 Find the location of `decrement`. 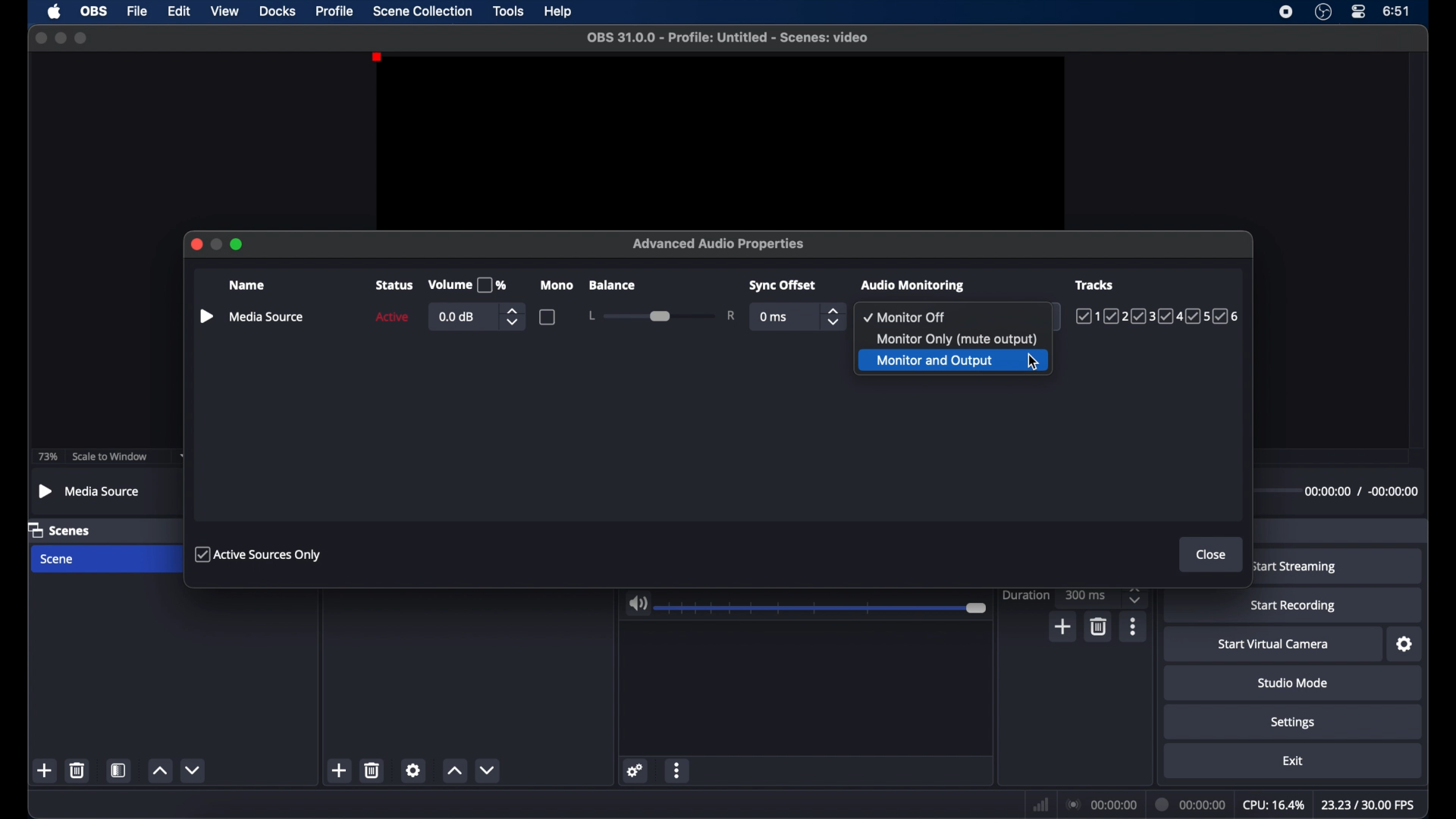

decrement is located at coordinates (490, 770).